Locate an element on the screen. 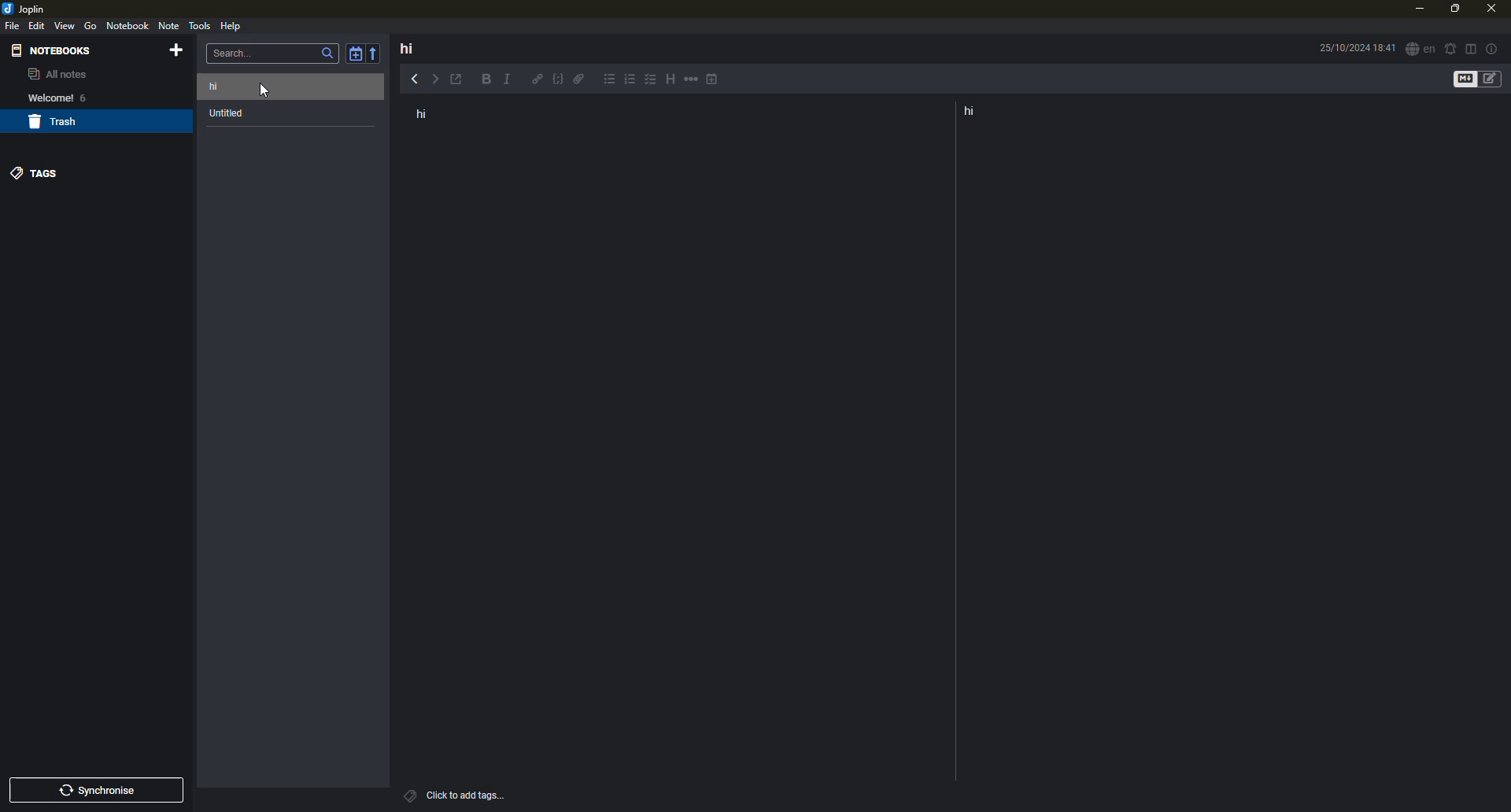 This screenshot has width=1511, height=812. maximize is located at coordinates (1453, 9).